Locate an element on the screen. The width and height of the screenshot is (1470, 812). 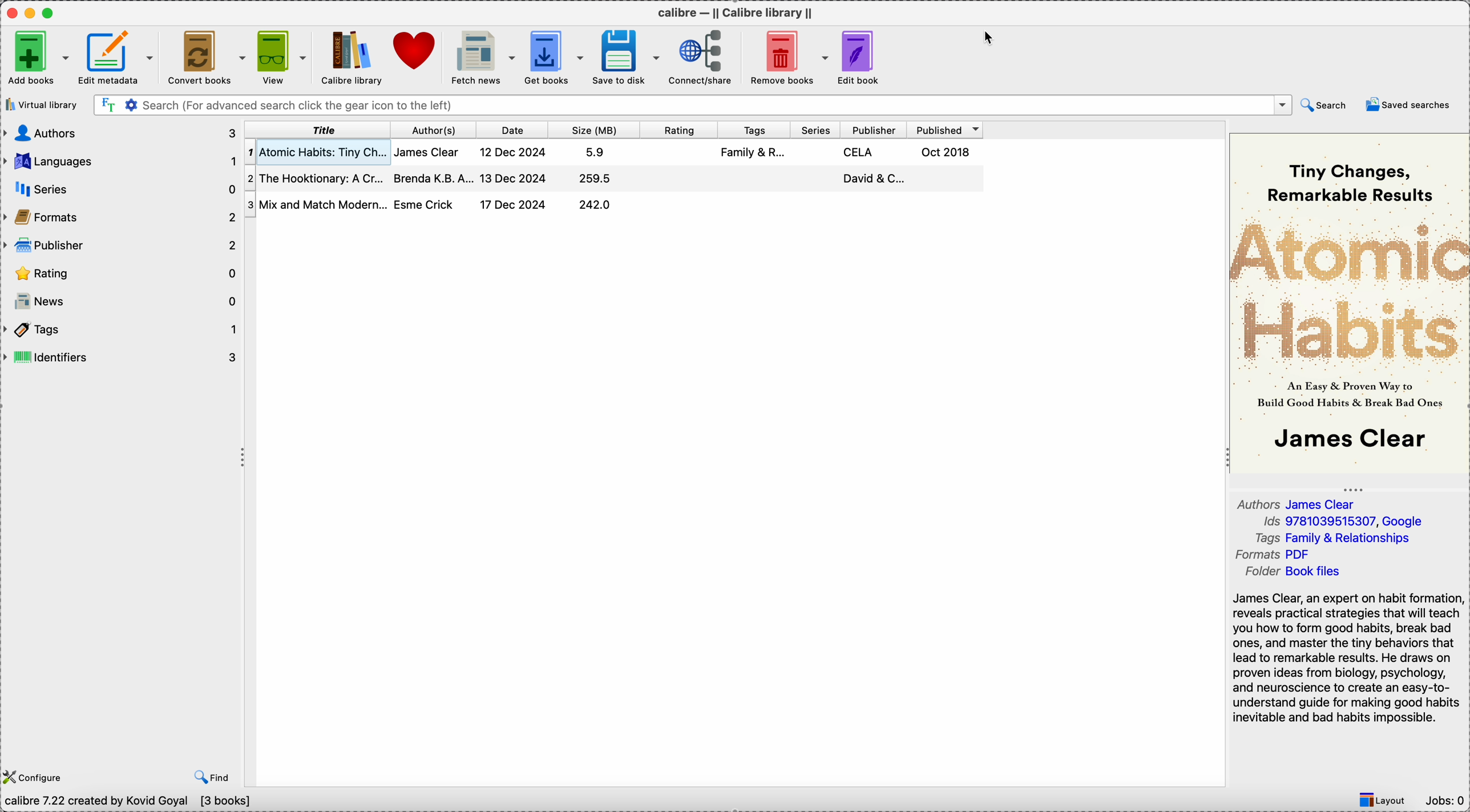
save to disk is located at coordinates (625, 58).